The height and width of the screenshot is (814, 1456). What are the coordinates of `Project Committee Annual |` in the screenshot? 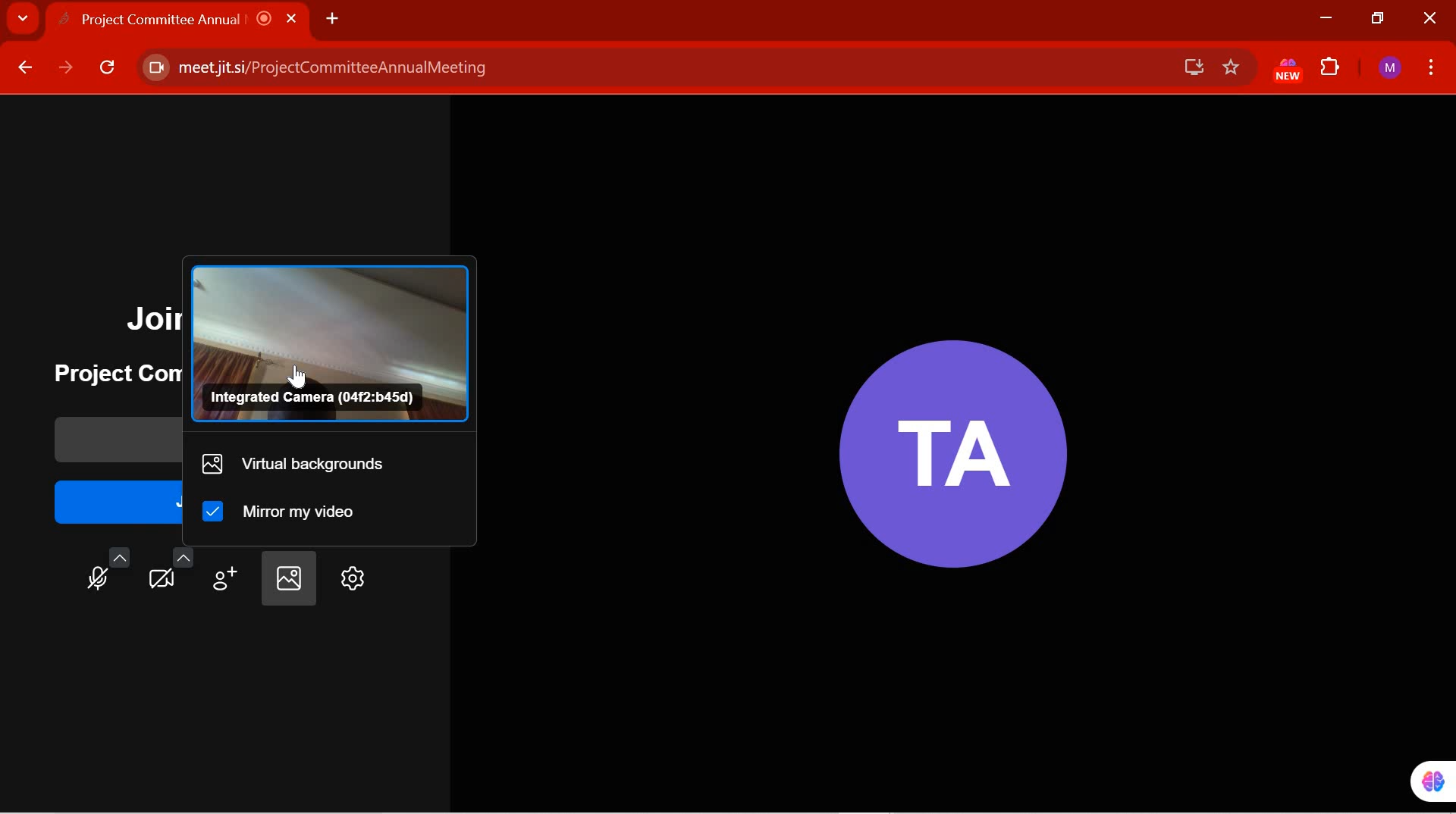 It's located at (191, 19).